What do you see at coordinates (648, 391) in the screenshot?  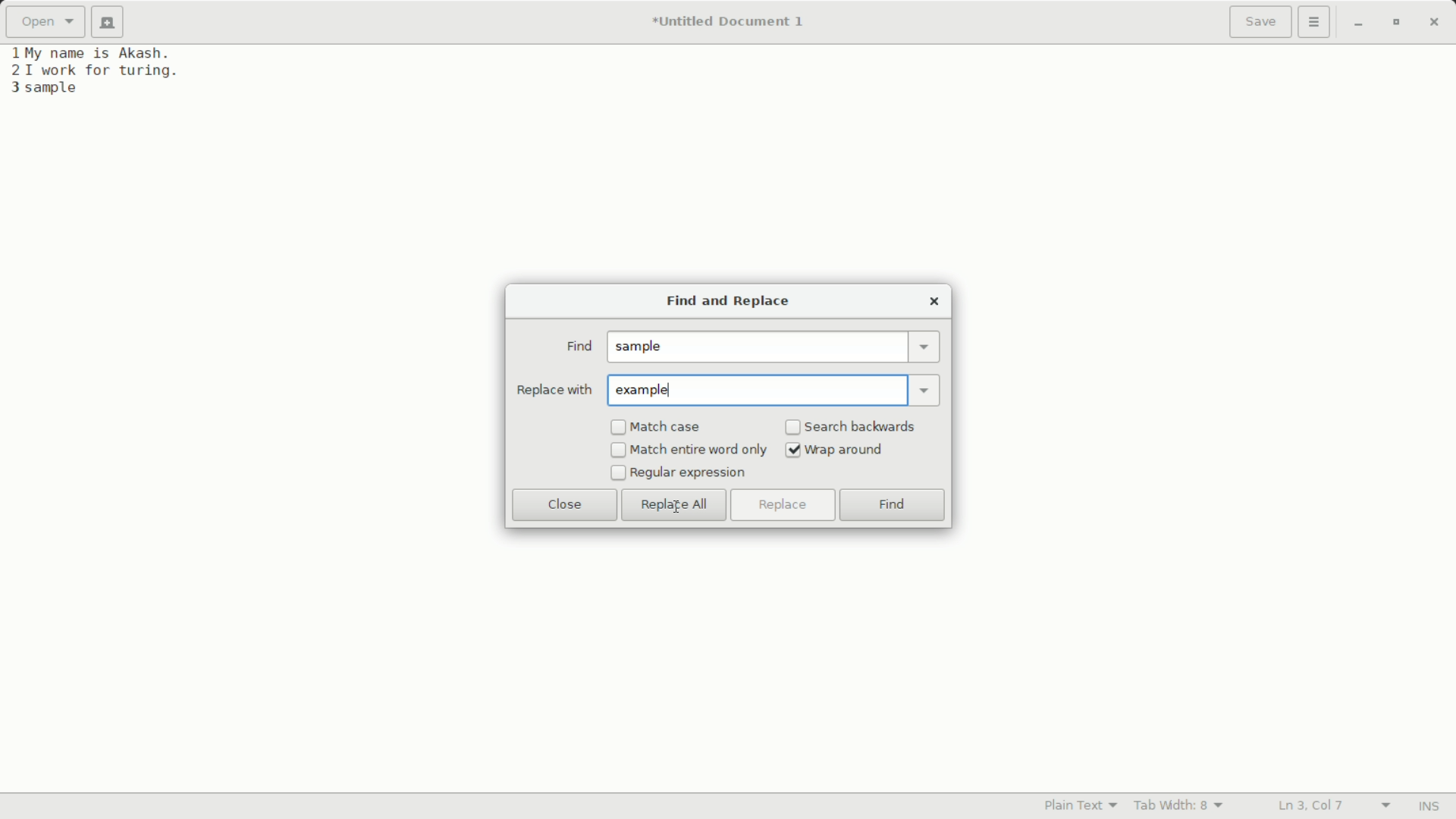 I see `example` at bounding box center [648, 391].